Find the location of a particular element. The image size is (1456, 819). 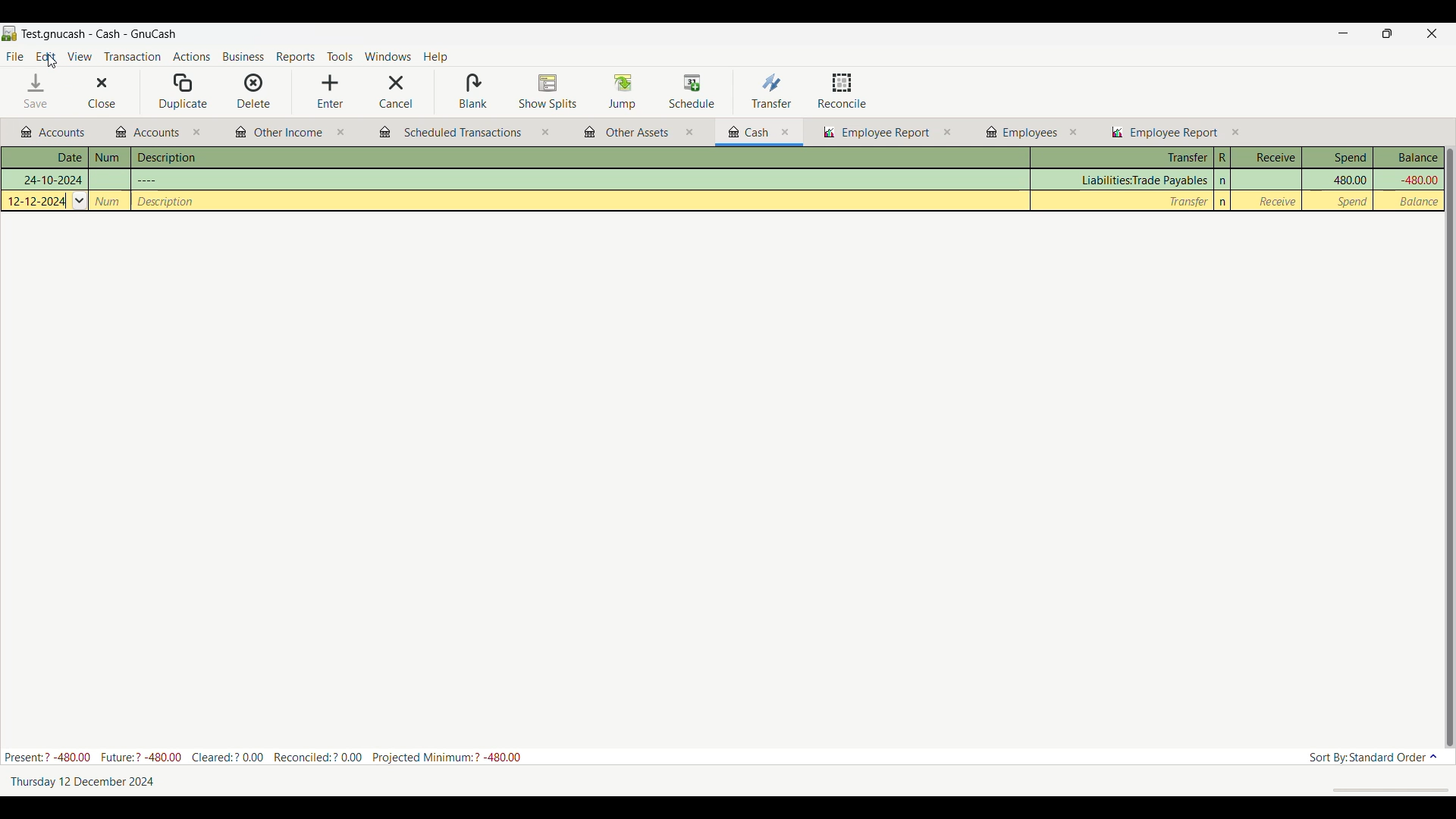

R column is located at coordinates (1222, 158).